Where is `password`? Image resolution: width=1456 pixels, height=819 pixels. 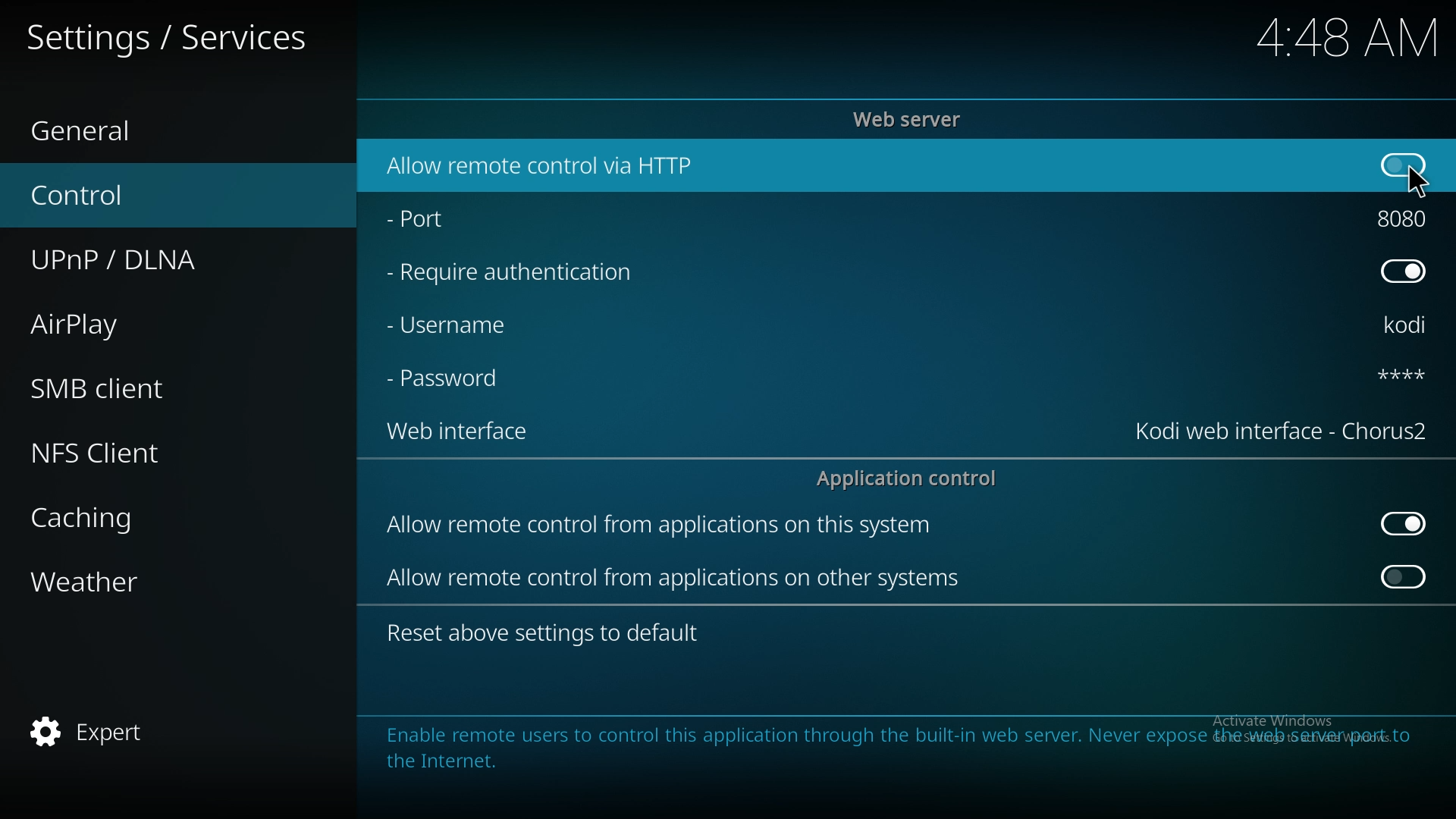 password is located at coordinates (1397, 378).